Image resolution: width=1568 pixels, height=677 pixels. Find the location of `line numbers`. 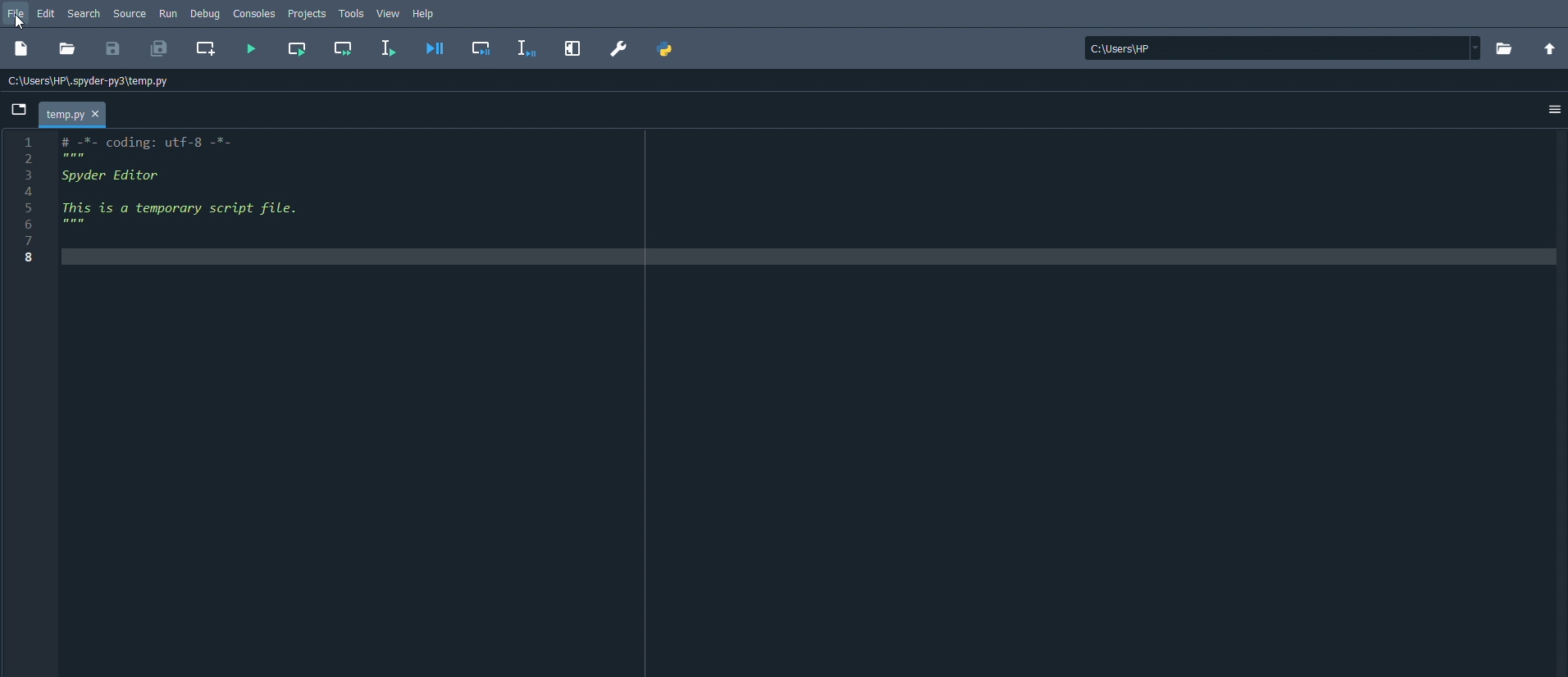

line numbers is located at coordinates (26, 200).